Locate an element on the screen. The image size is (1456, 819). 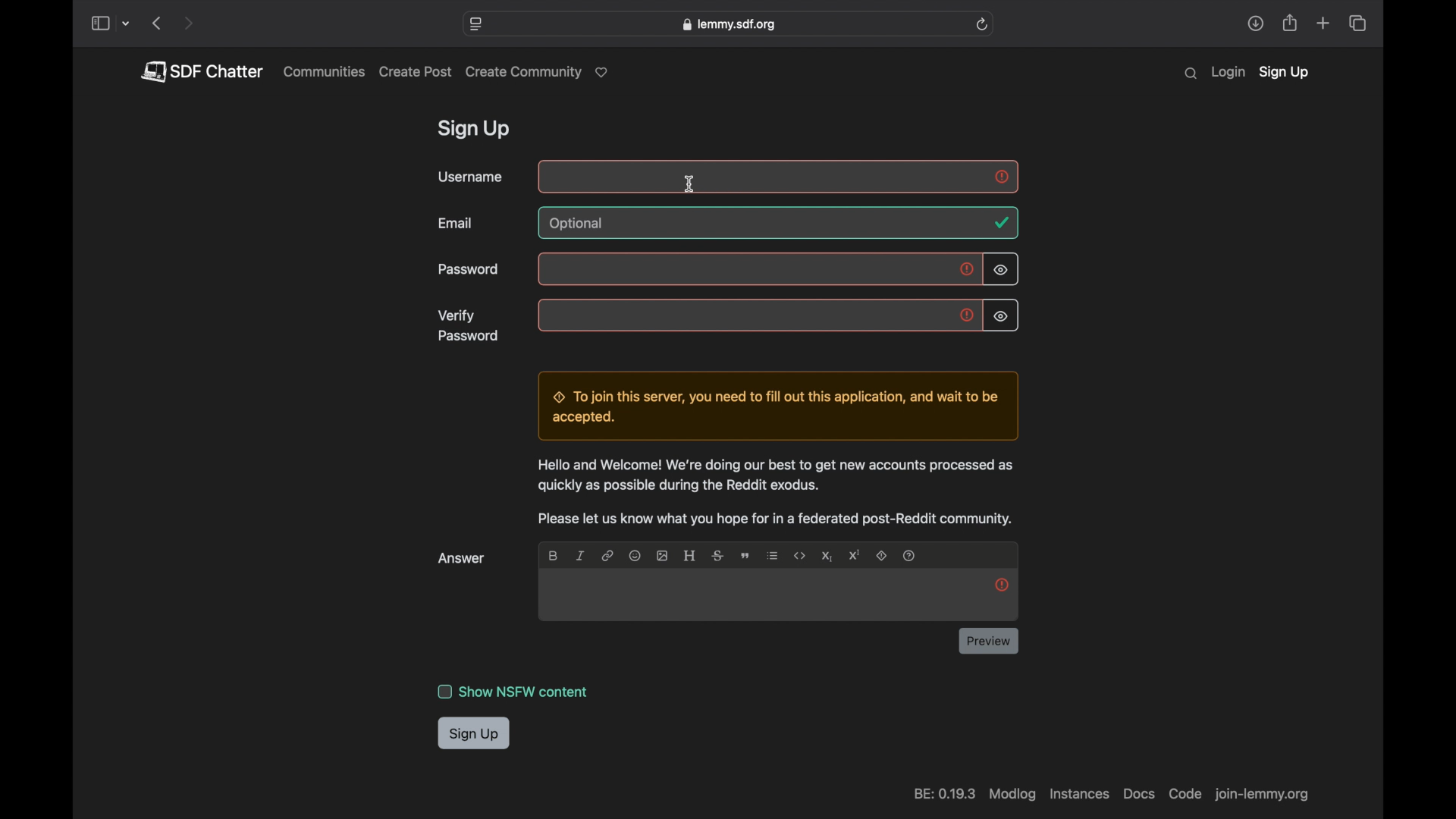
login is located at coordinates (1228, 73).